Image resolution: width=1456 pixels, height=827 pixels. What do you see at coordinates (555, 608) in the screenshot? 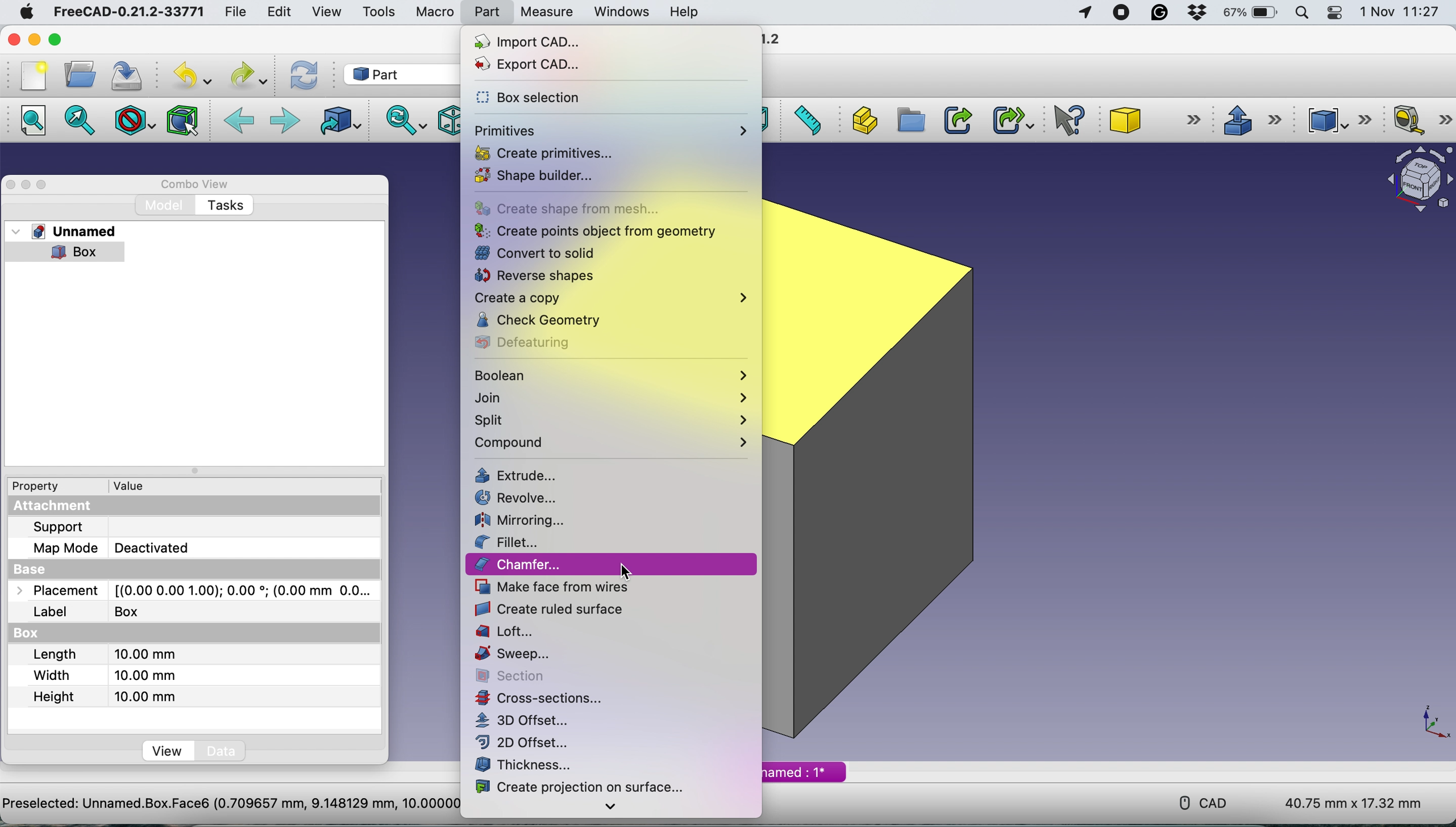
I see `create ruled surface` at bounding box center [555, 608].